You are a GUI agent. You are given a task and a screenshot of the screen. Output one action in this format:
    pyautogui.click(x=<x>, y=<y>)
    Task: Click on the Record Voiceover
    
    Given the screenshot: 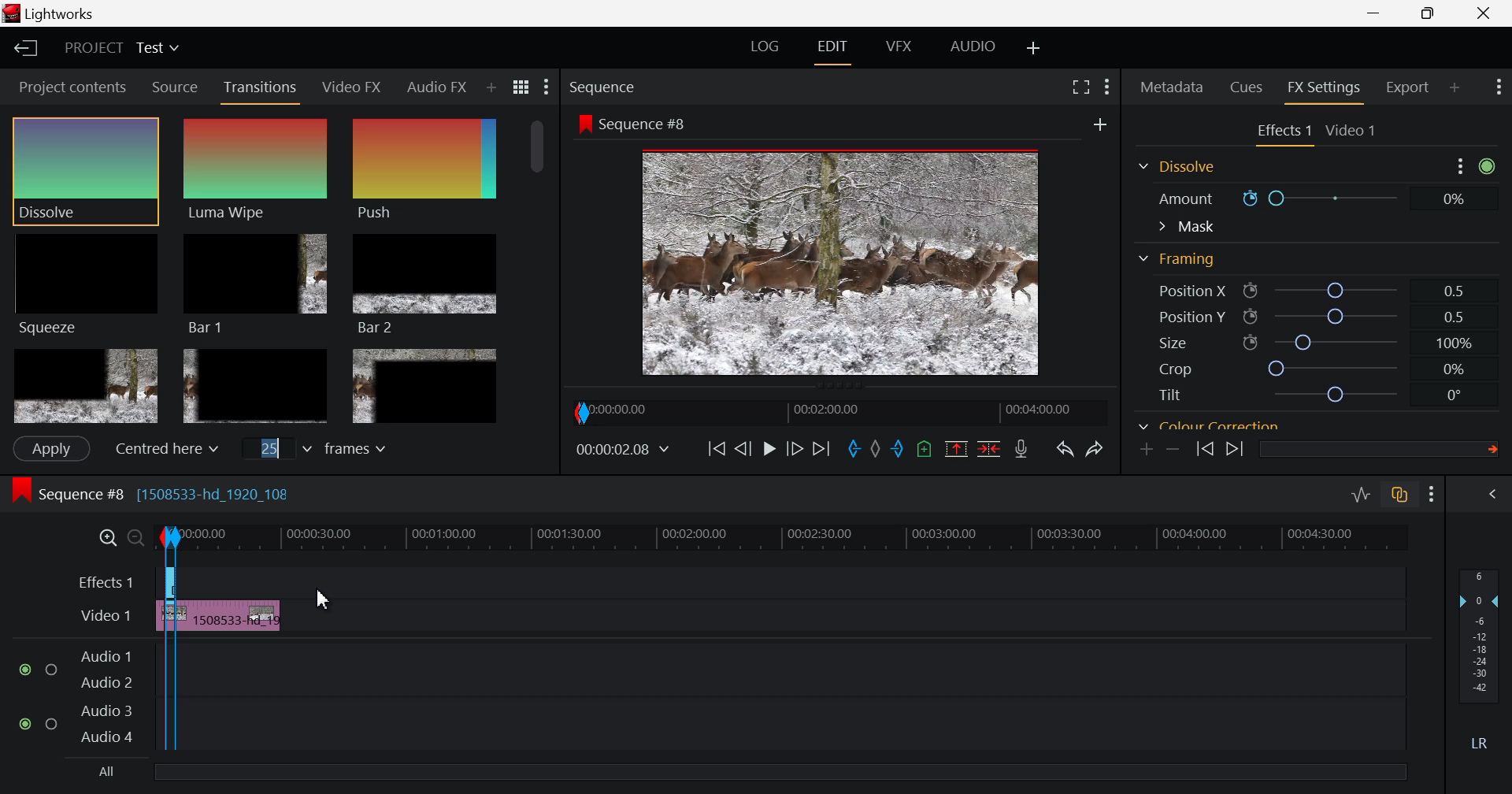 What is the action you would take?
    pyautogui.click(x=1021, y=449)
    